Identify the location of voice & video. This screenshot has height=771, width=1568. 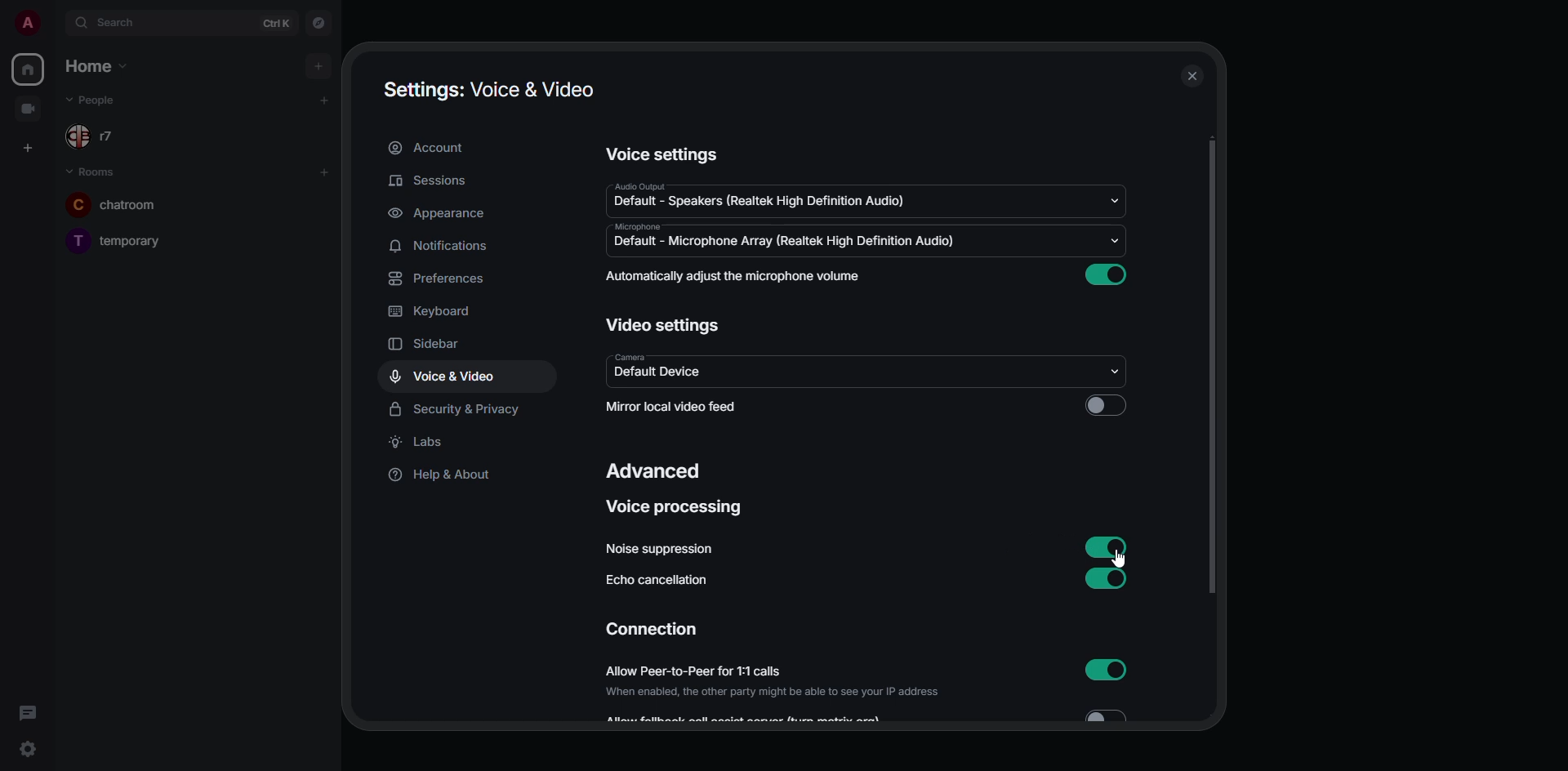
(443, 377).